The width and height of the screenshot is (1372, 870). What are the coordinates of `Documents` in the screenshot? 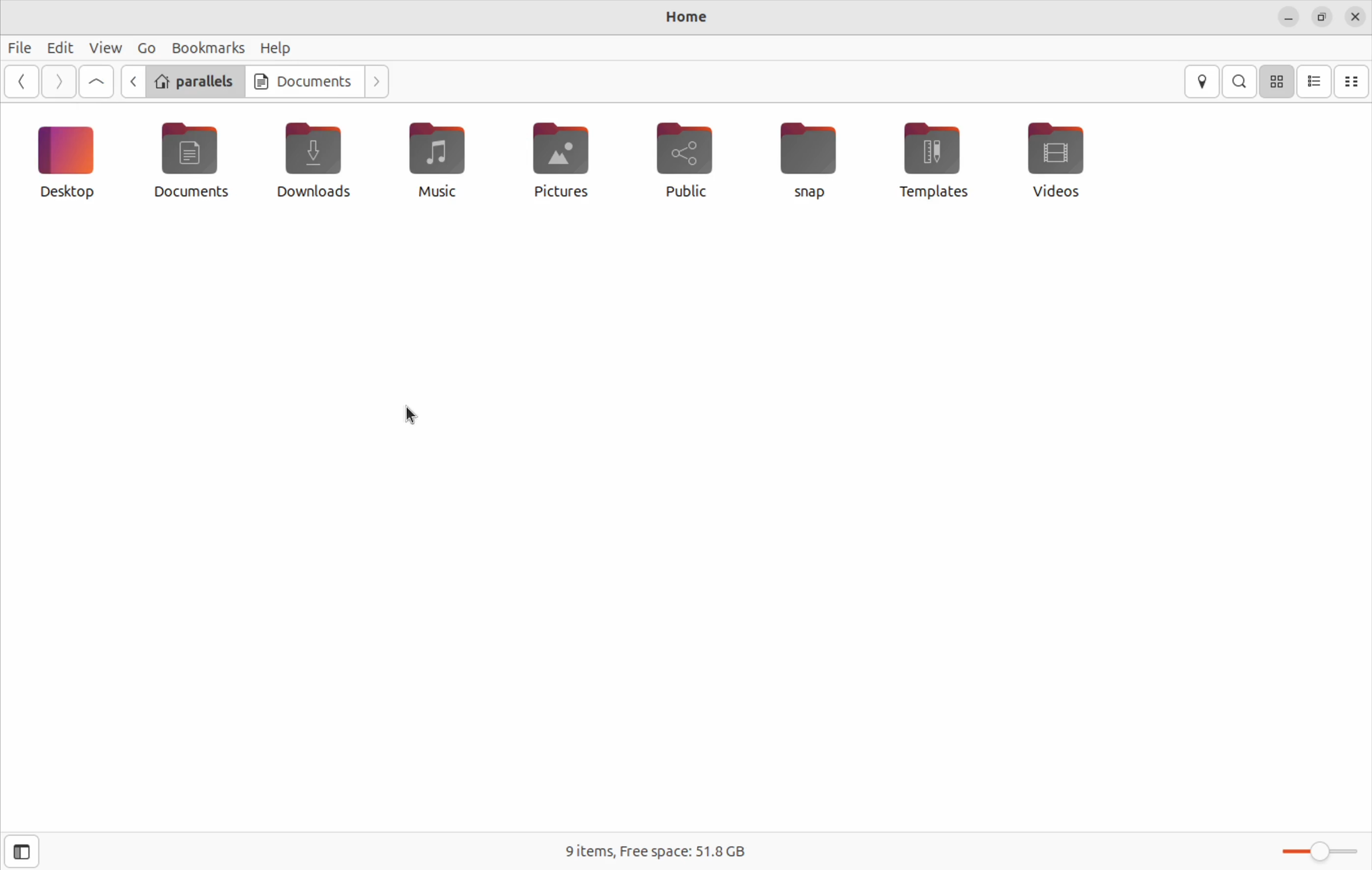 It's located at (307, 80).